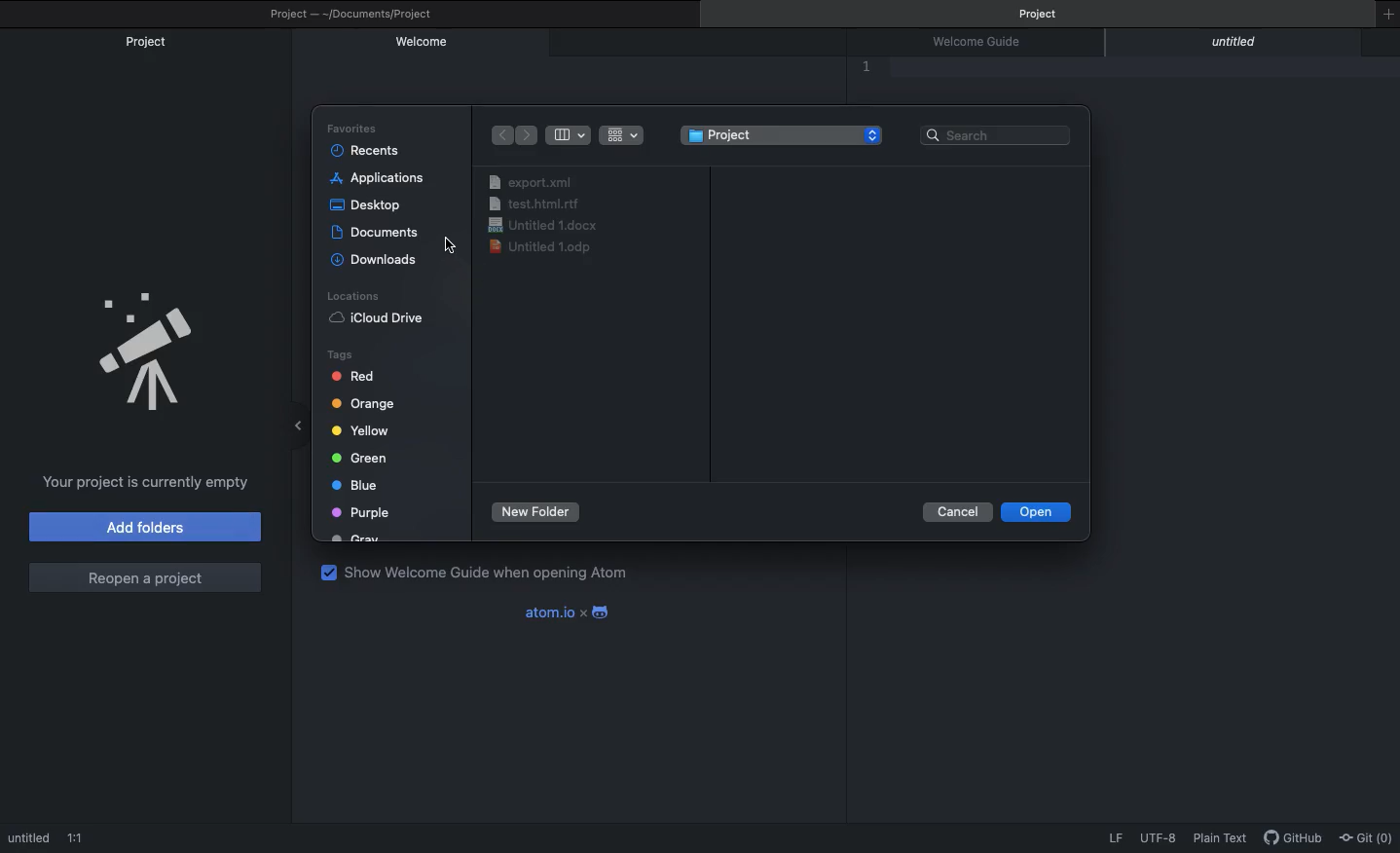 This screenshot has width=1400, height=853. I want to click on Open, so click(1041, 512).